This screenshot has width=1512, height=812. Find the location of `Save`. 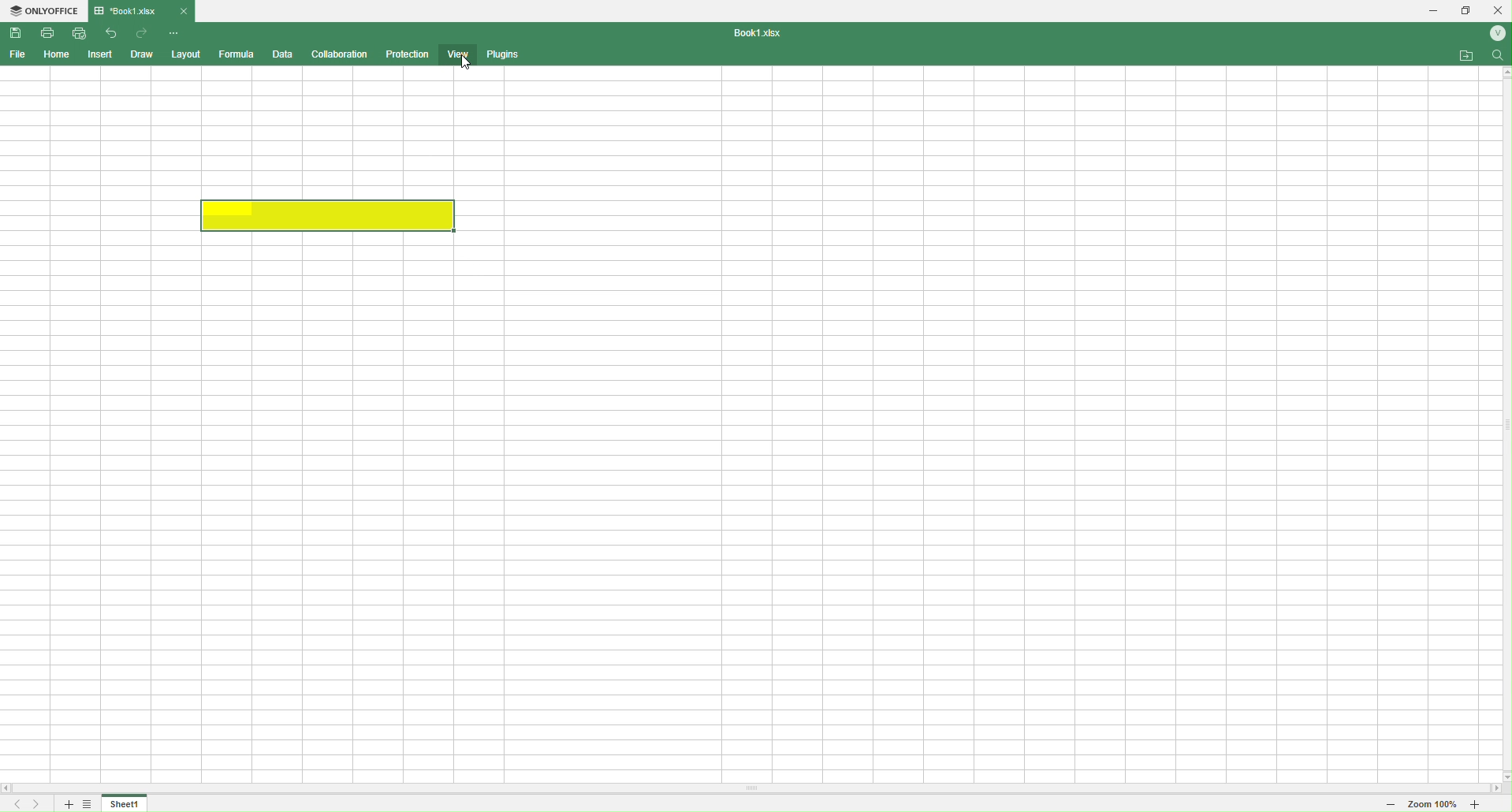

Save is located at coordinates (15, 32).